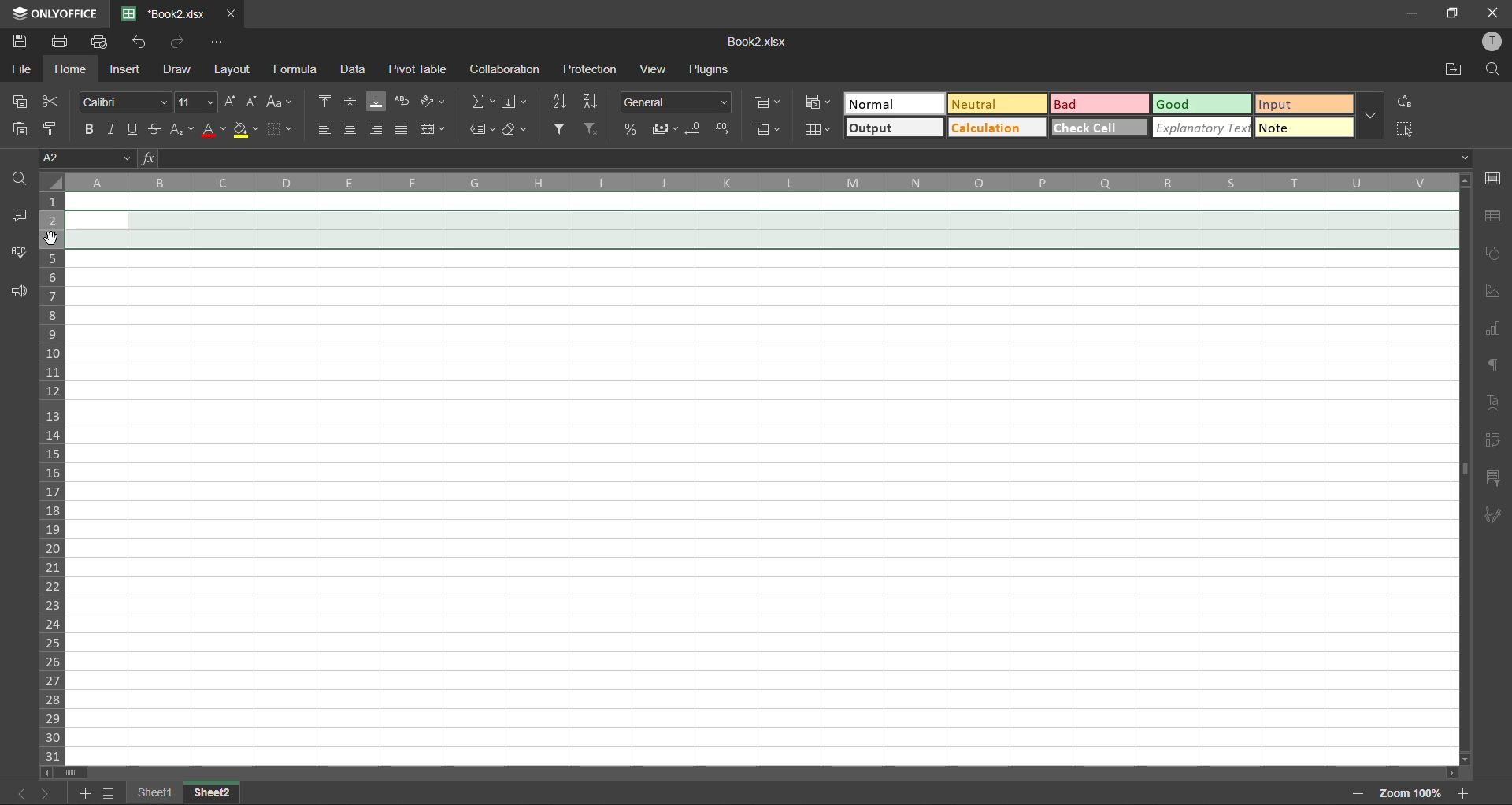 The height and width of the screenshot is (805, 1512). I want to click on delete cells, so click(769, 131).